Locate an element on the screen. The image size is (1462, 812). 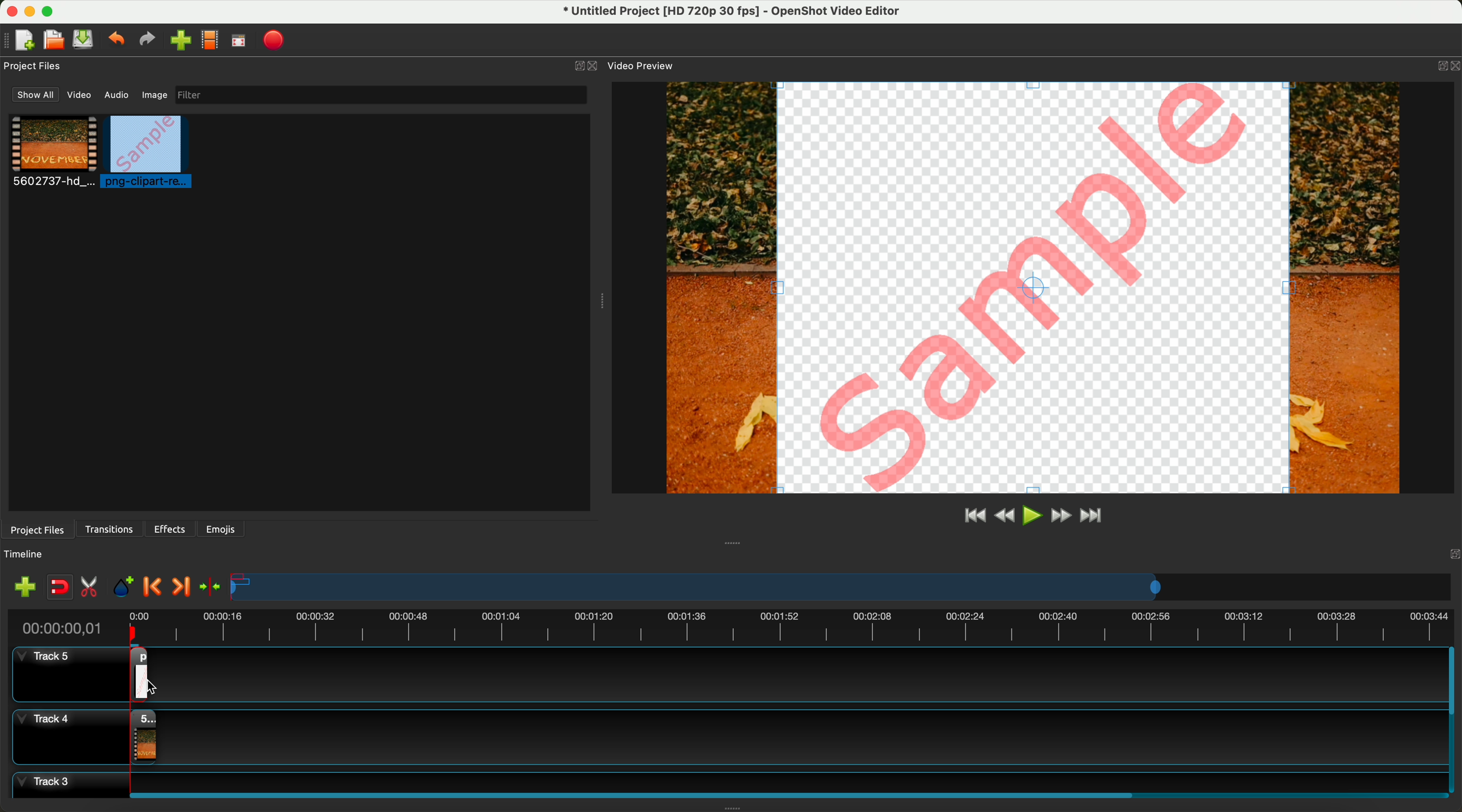
click for drag to action is located at coordinates (161, 685).